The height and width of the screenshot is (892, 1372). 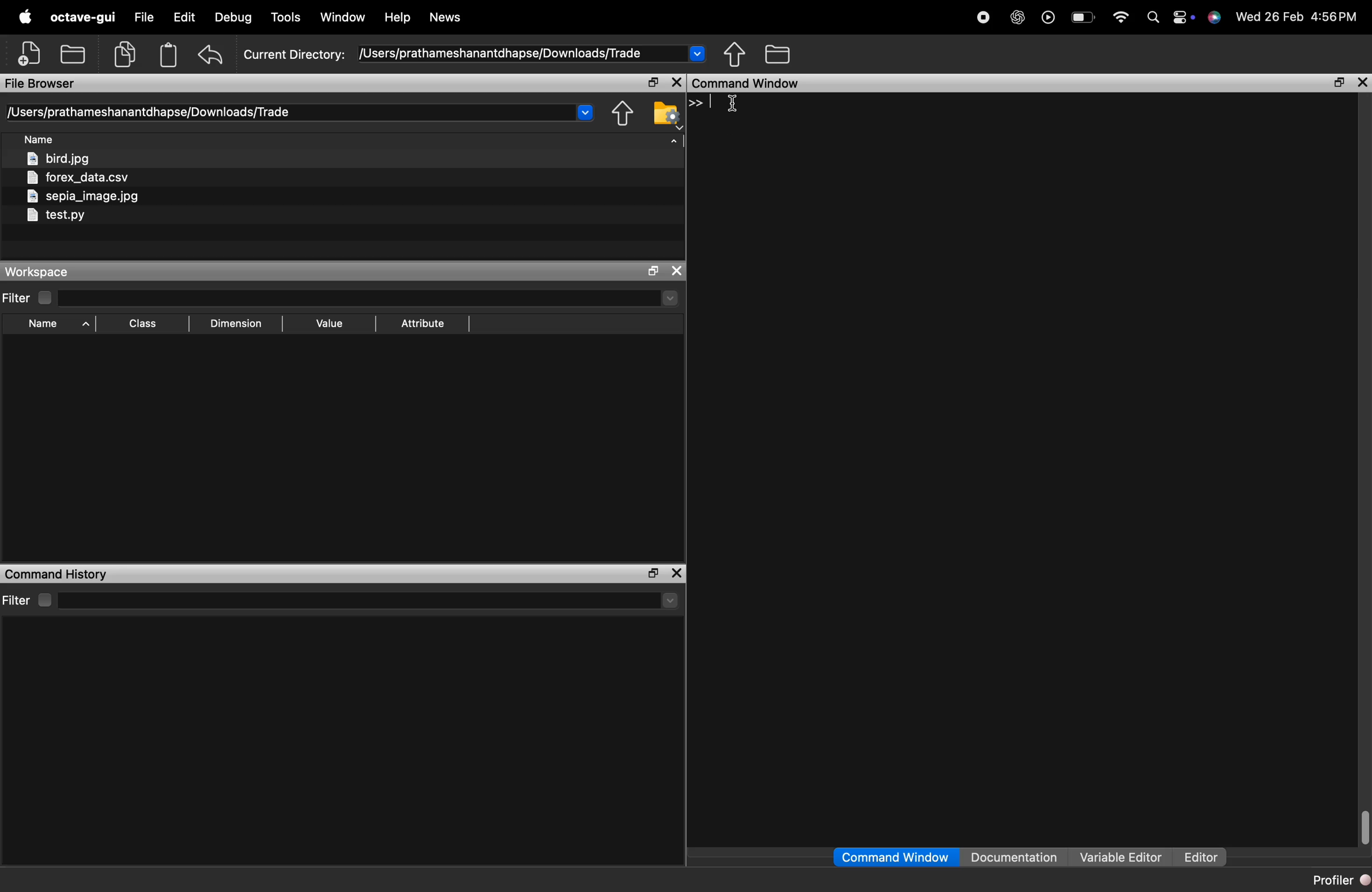 I want to click on drop-down , so click(x=669, y=600).